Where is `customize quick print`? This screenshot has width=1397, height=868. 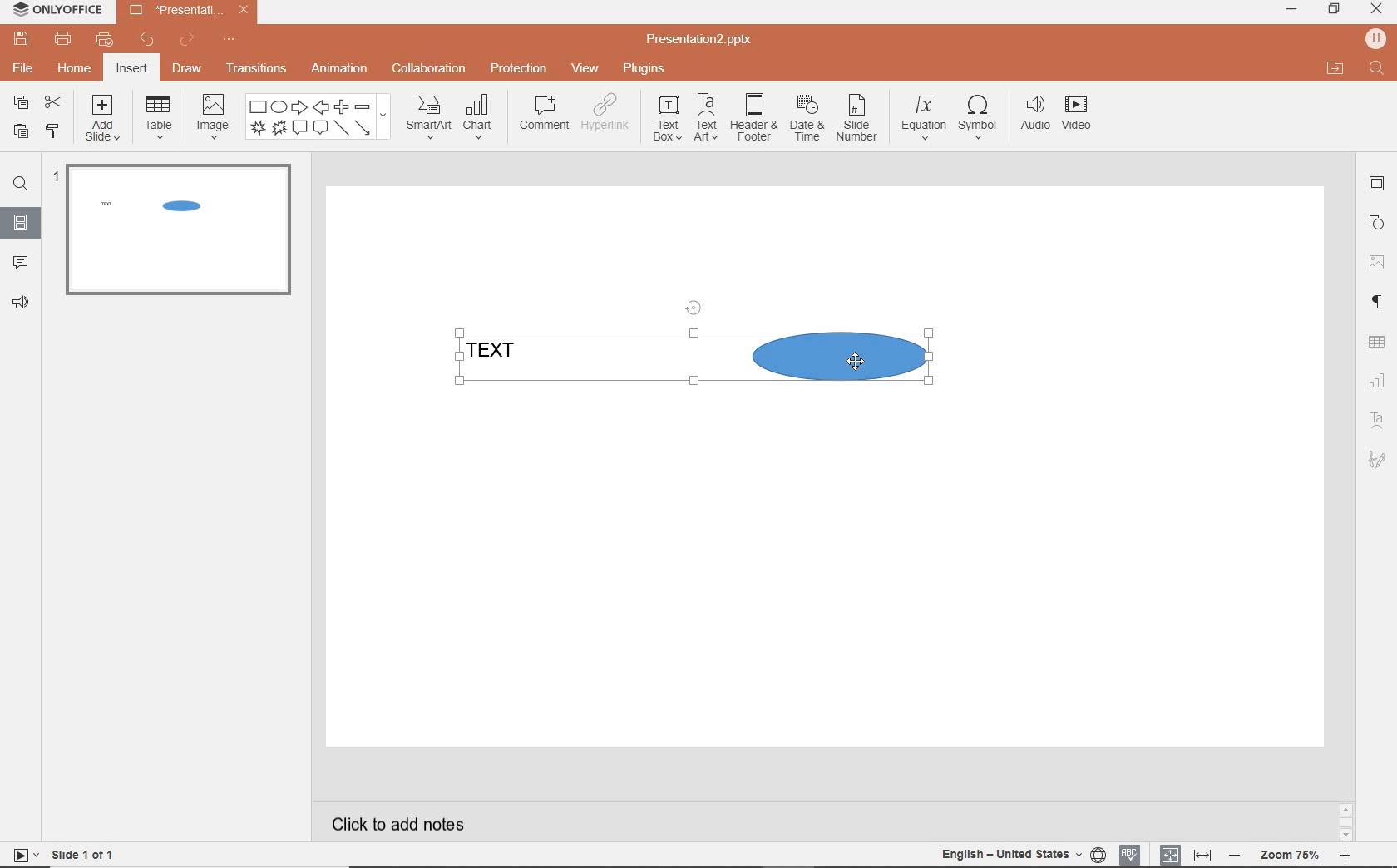 customize quick print is located at coordinates (102, 40).